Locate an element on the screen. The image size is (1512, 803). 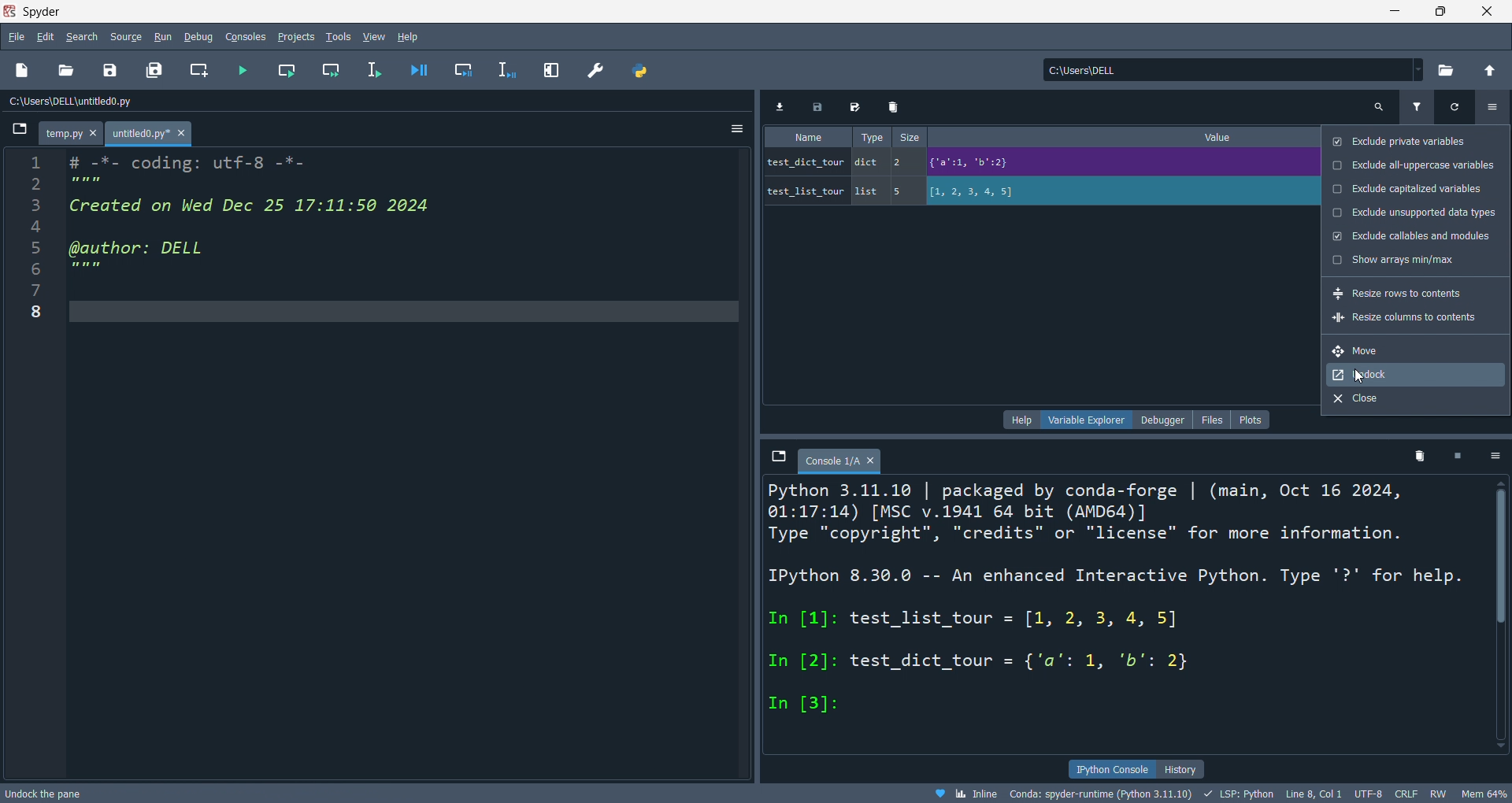
help is located at coordinates (1020, 420).